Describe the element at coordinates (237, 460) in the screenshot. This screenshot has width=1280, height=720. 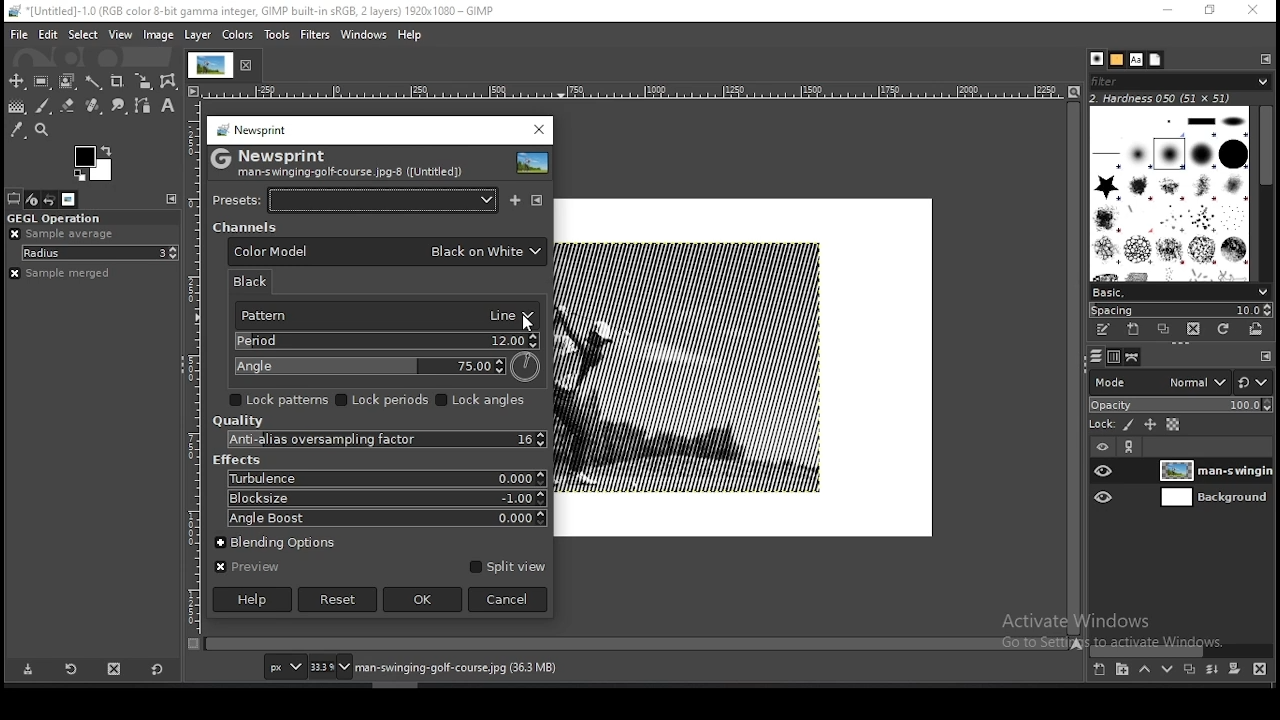
I see `effects` at that location.